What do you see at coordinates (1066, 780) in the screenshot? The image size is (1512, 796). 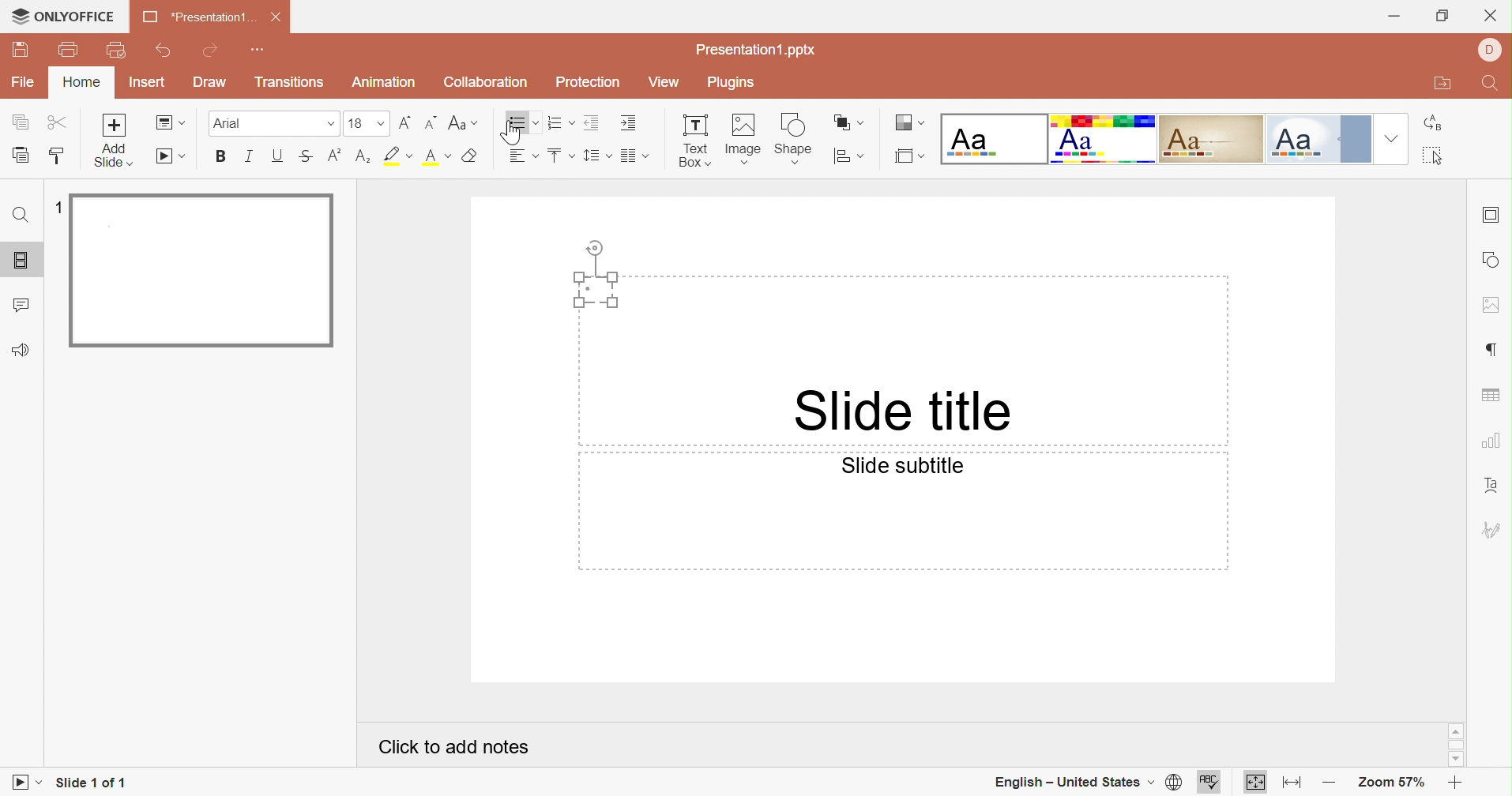 I see `English - United States` at bounding box center [1066, 780].